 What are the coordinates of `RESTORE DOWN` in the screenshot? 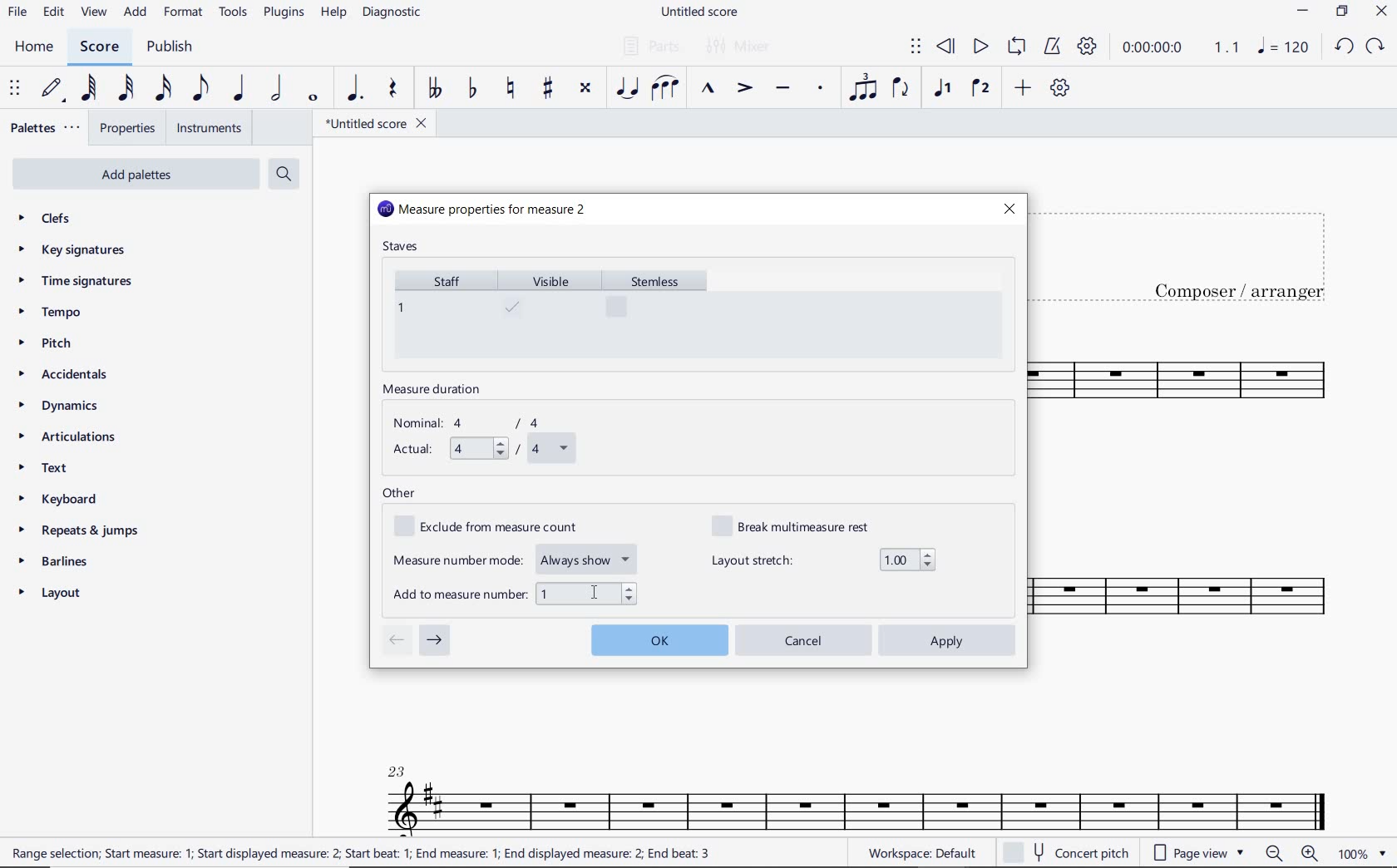 It's located at (1342, 13).